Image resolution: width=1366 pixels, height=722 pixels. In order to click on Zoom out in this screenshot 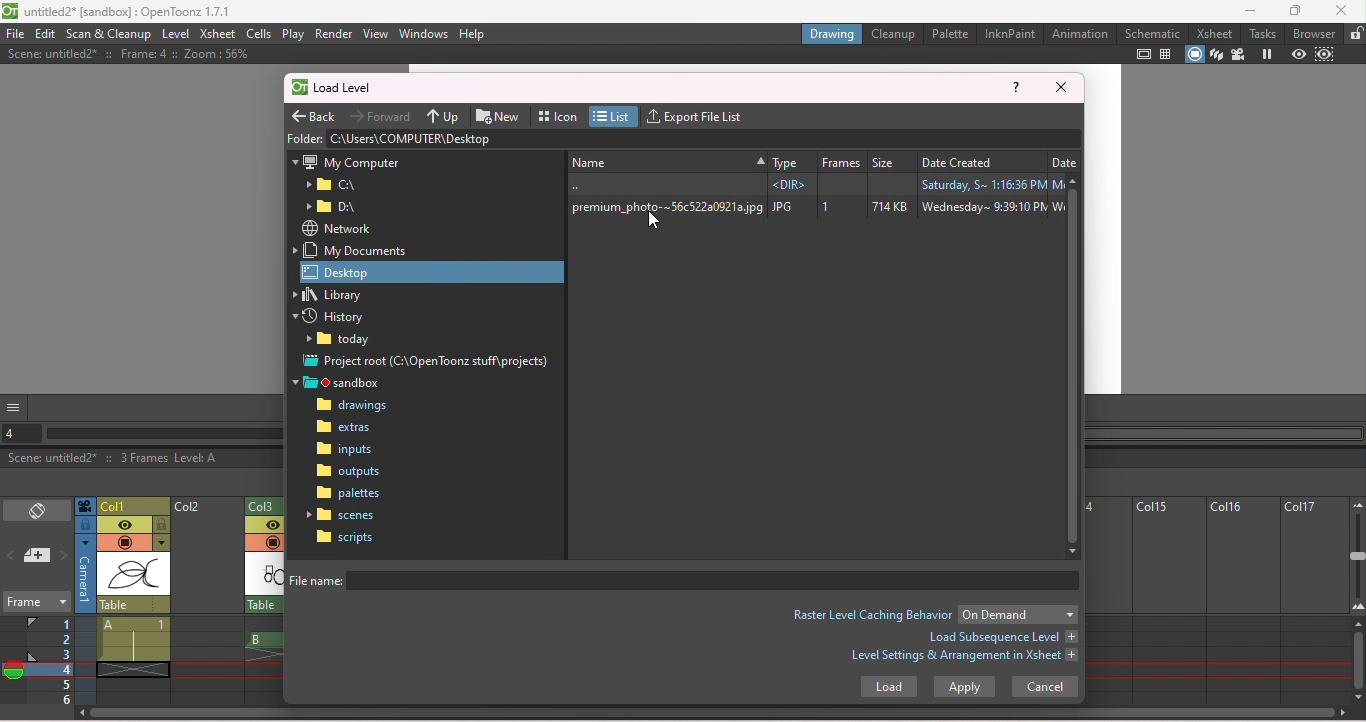, I will do `click(1356, 504)`.